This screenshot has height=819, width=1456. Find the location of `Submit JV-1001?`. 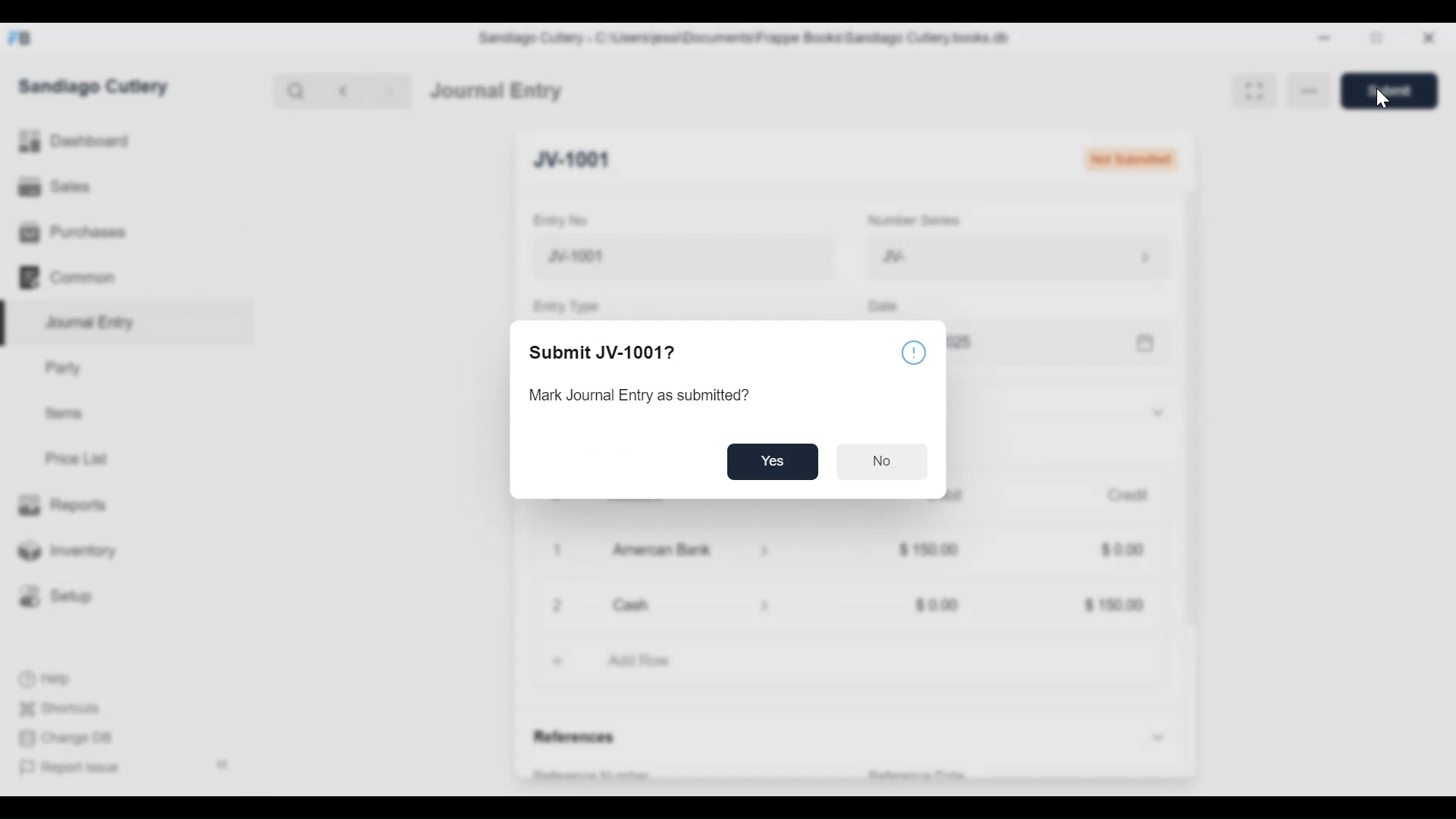

Submit JV-1001? is located at coordinates (605, 353).